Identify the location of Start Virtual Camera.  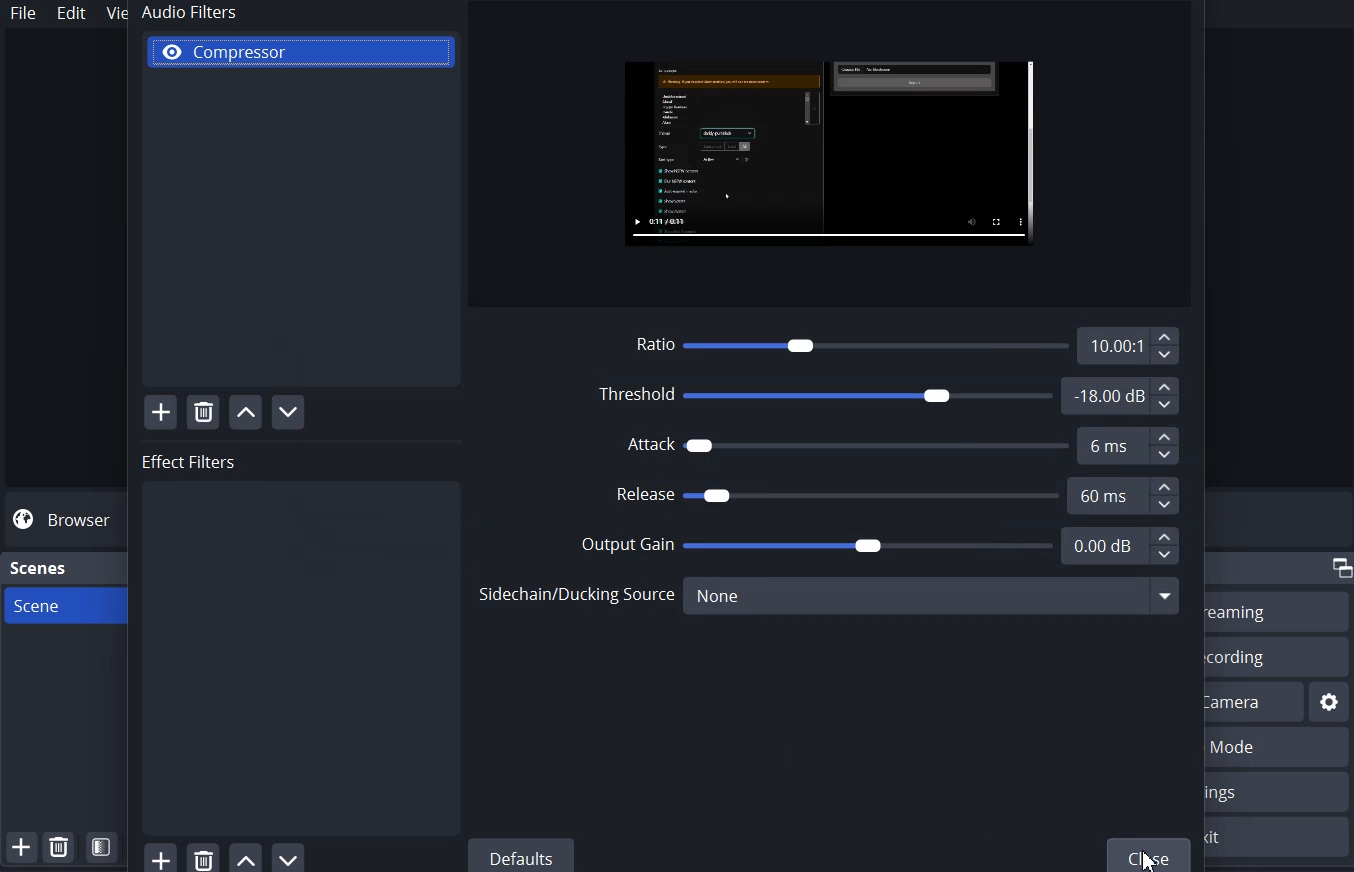
(1255, 701).